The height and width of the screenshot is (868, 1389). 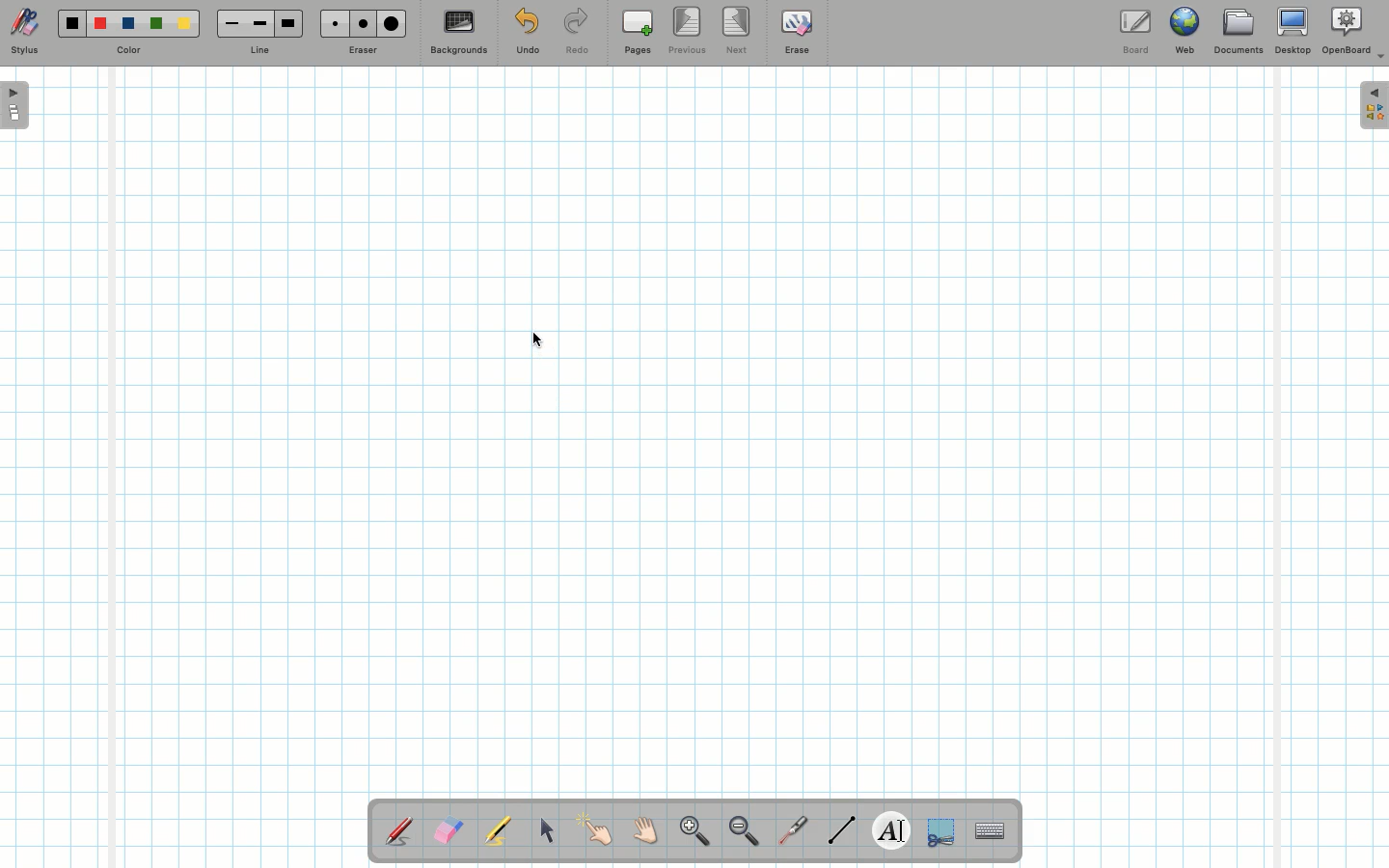 What do you see at coordinates (789, 831) in the screenshot?
I see `Laser pointer` at bounding box center [789, 831].